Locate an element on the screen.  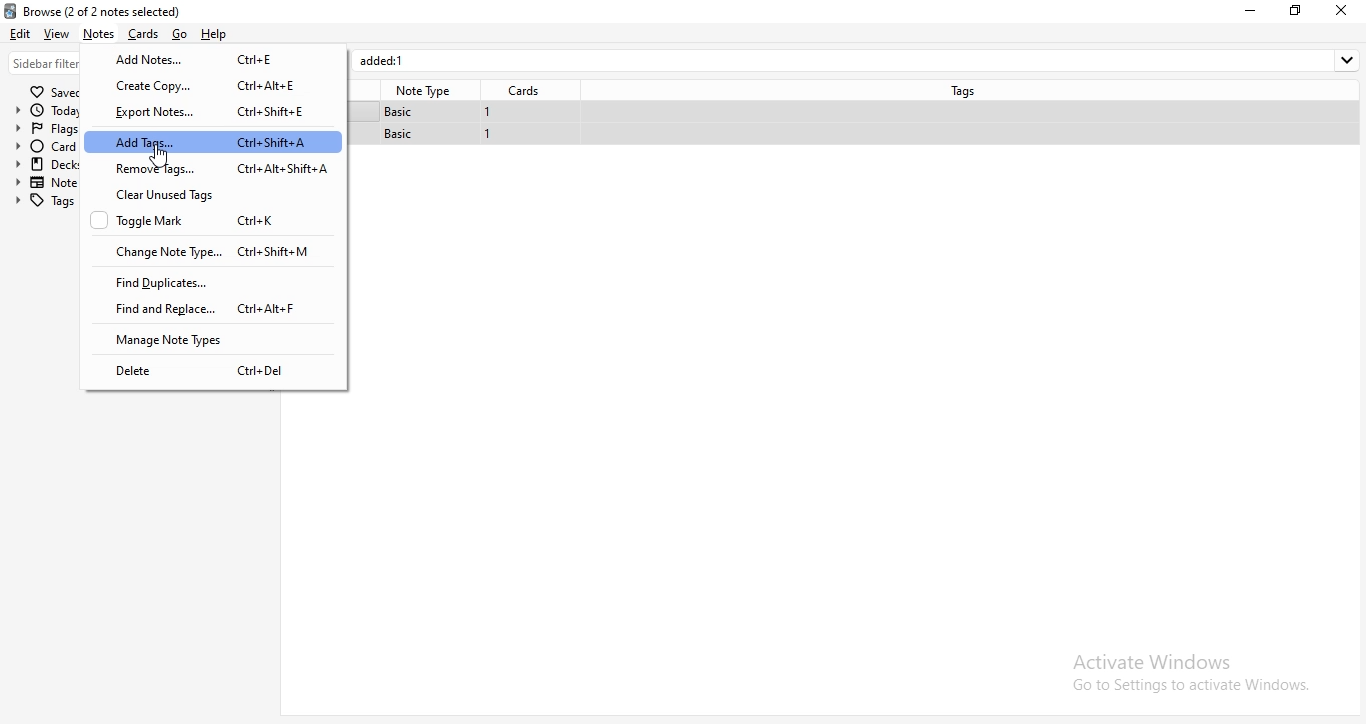
edit is located at coordinates (19, 32).